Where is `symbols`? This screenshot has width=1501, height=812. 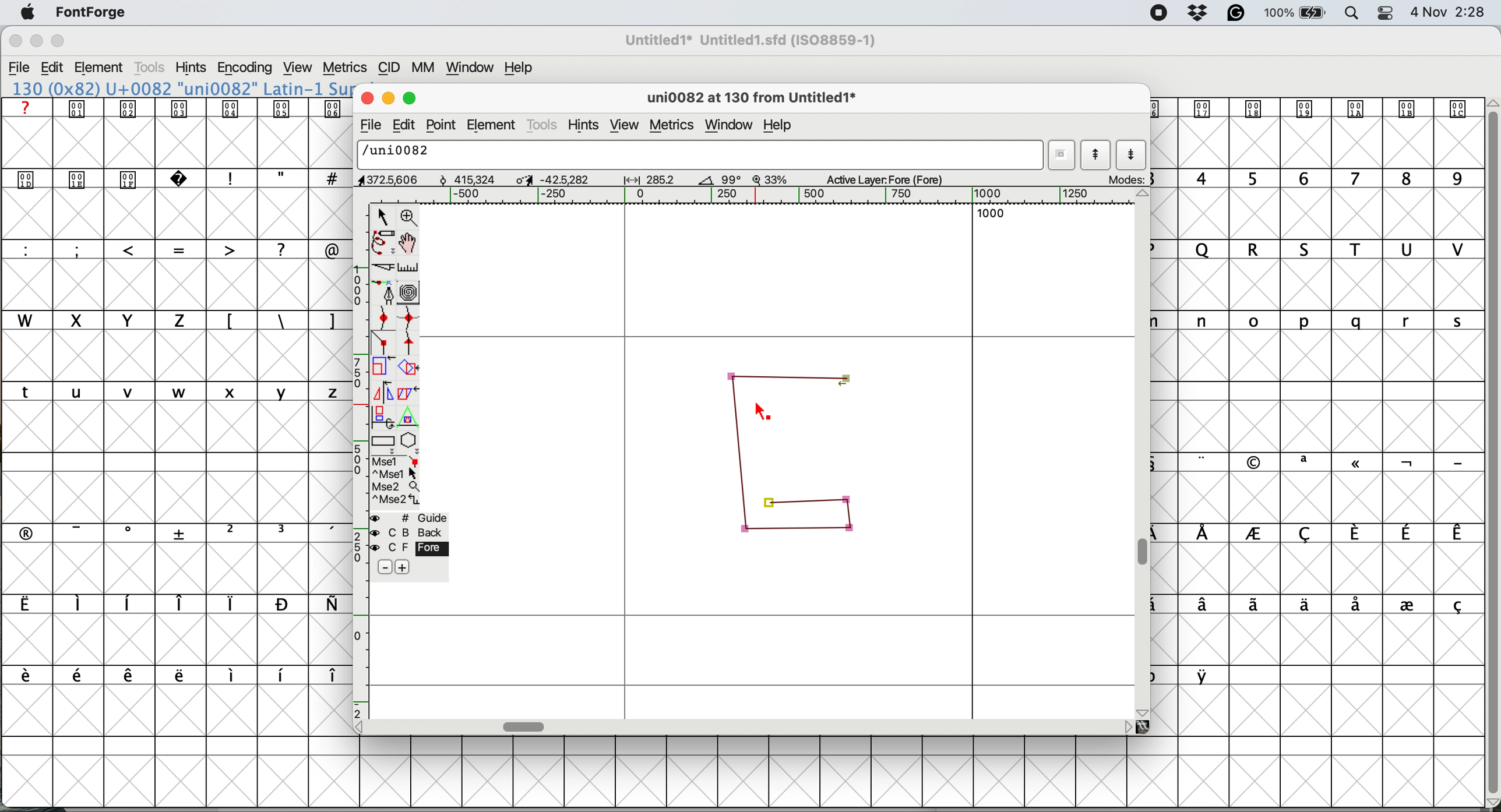 symbols is located at coordinates (1331, 463).